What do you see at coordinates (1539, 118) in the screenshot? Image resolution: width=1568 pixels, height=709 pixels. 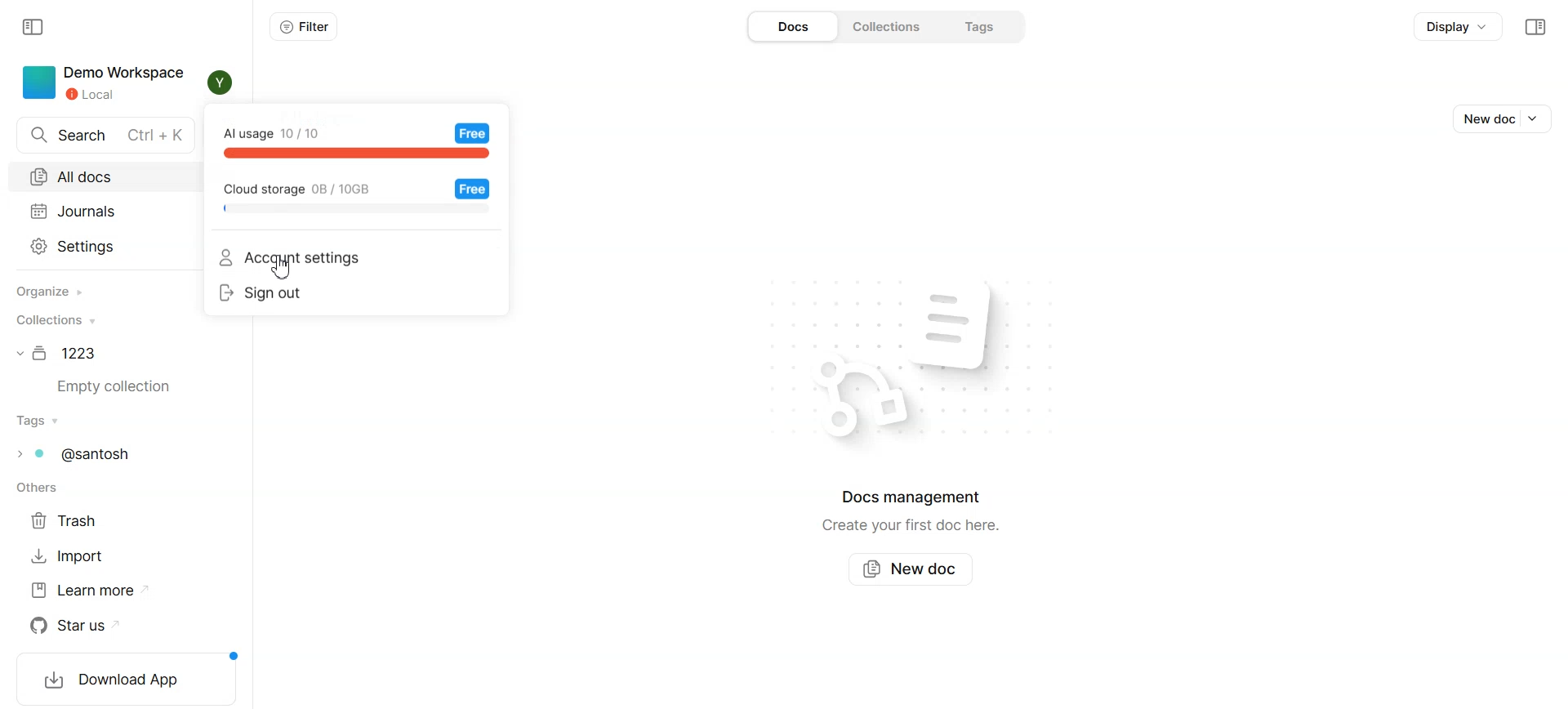 I see `Dropdown box` at bounding box center [1539, 118].